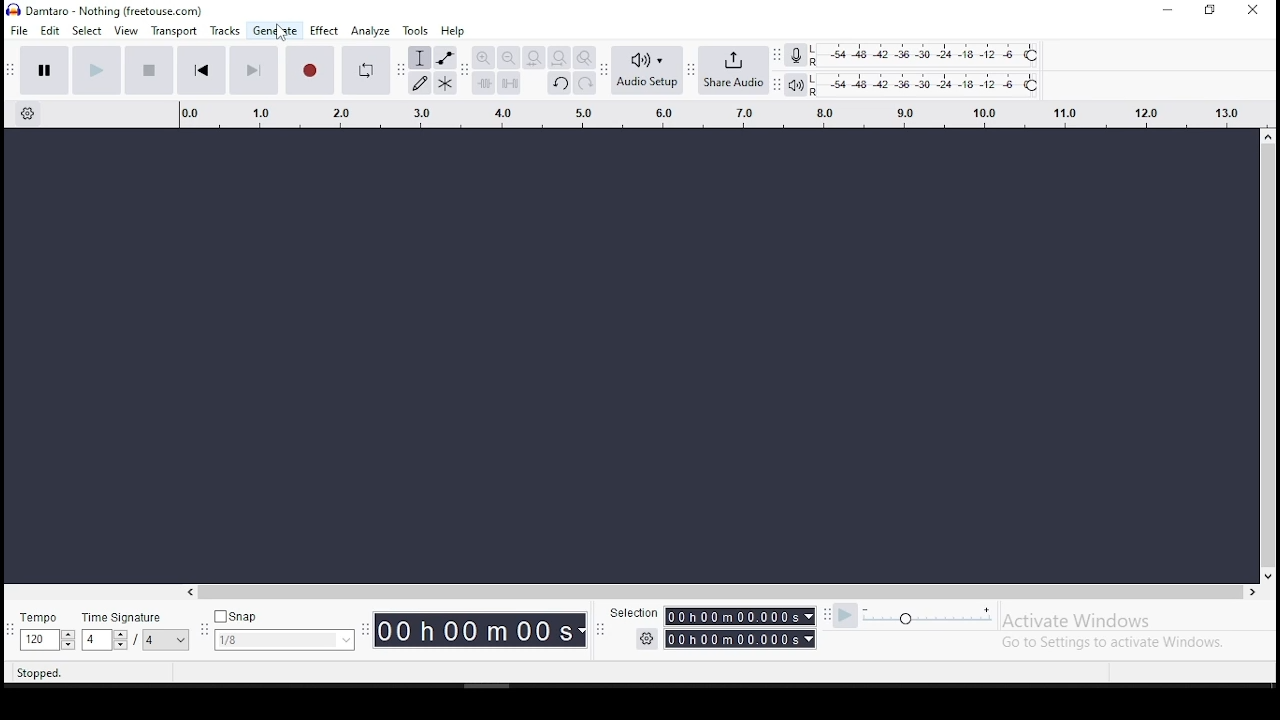 This screenshot has width=1280, height=720. What do you see at coordinates (307, 69) in the screenshot?
I see `record` at bounding box center [307, 69].